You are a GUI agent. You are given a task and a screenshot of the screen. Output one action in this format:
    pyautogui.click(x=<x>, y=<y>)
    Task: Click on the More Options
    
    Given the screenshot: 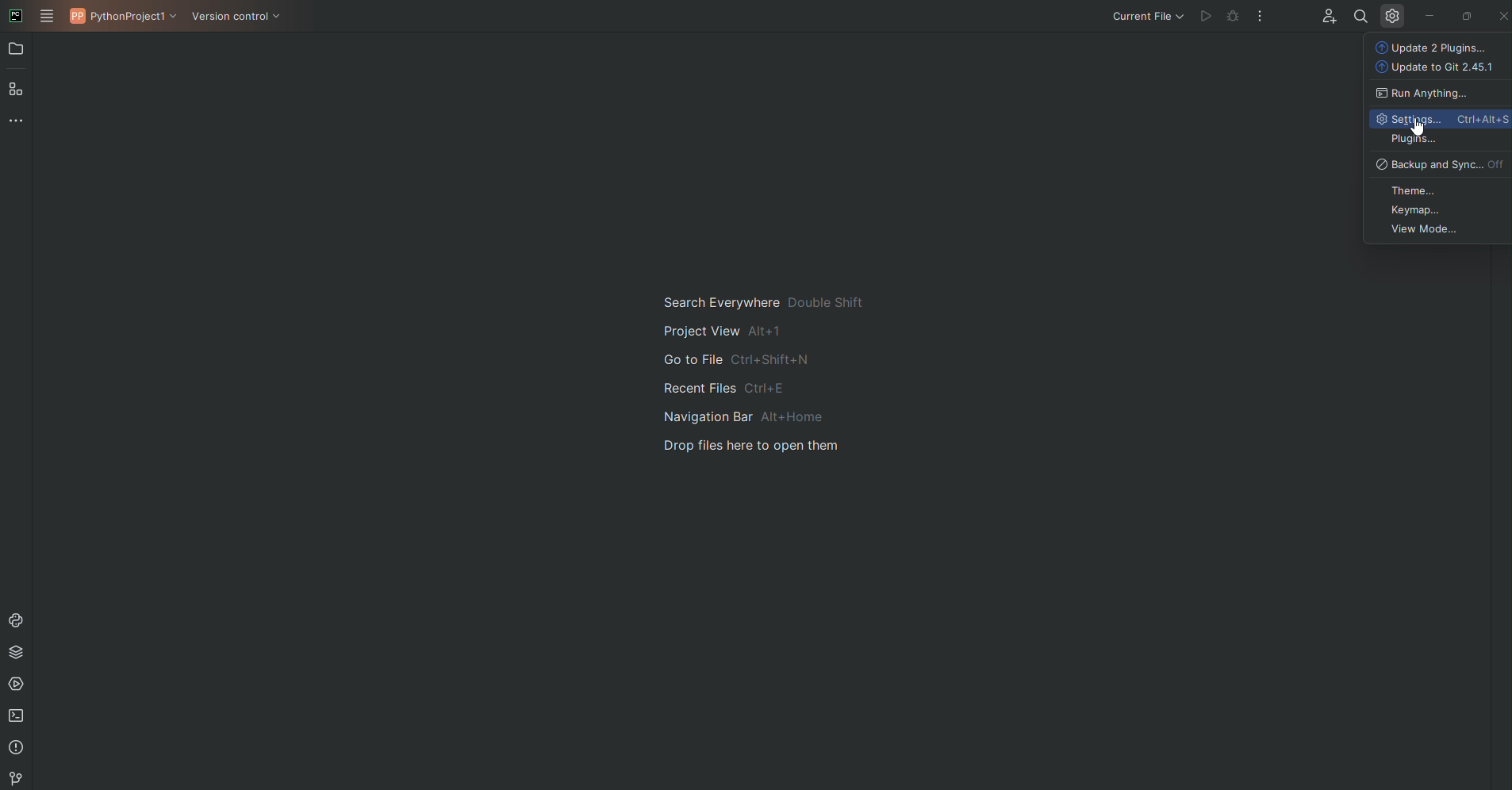 What is the action you would take?
    pyautogui.click(x=1258, y=18)
    